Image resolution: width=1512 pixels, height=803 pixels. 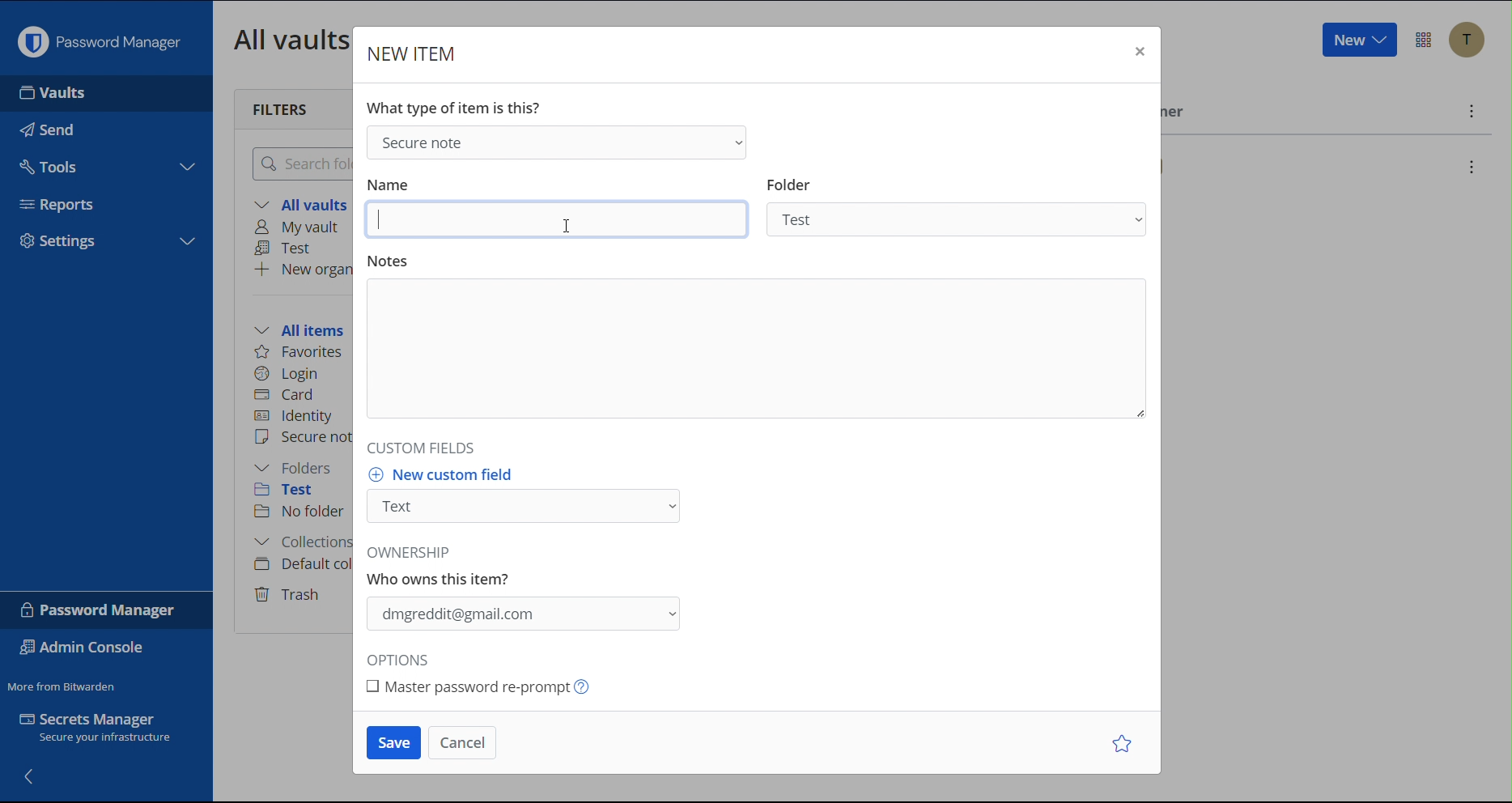 What do you see at coordinates (414, 53) in the screenshot?
I see `New Item` at bounding box center [414, 53].